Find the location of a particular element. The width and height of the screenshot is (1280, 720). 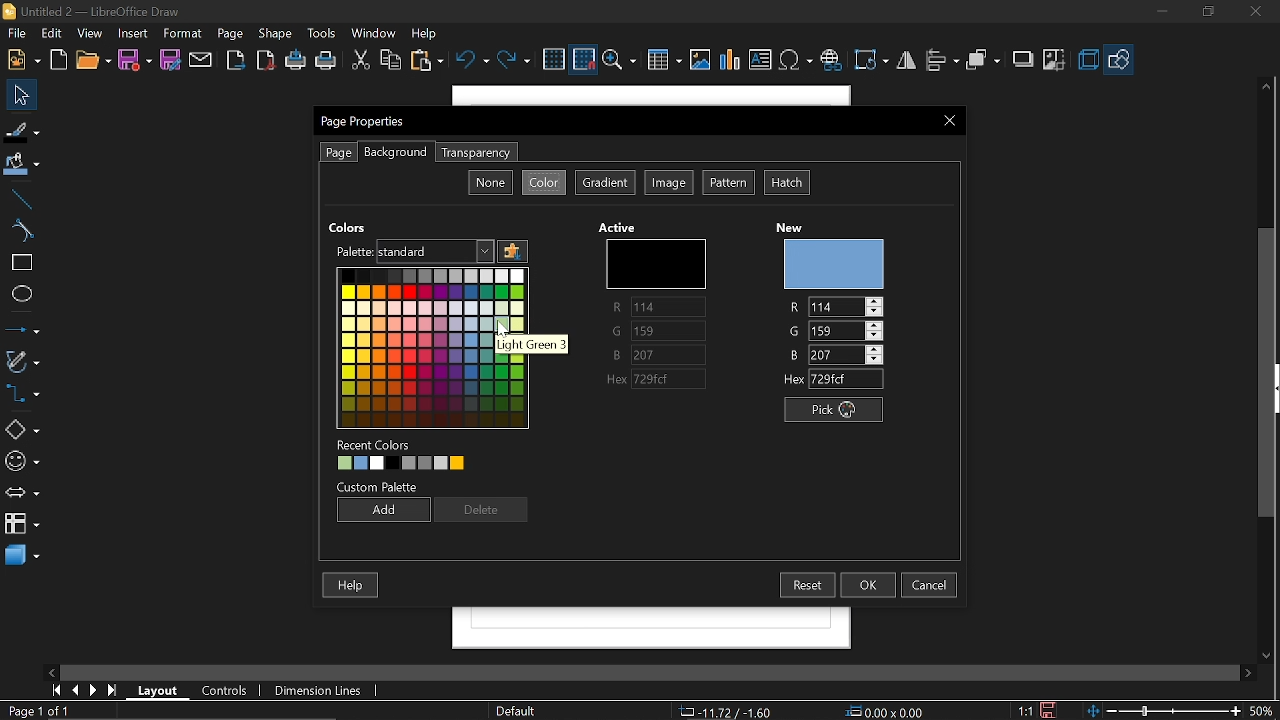

Layout is located at coordinates (158, 689).